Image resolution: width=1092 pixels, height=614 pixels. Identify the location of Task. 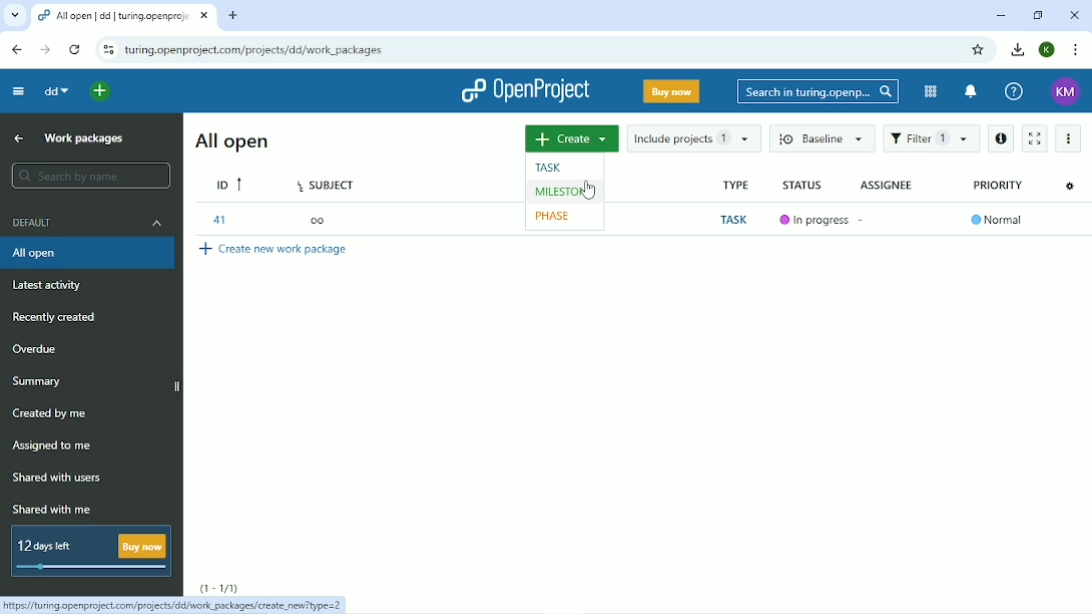
(550, 166).